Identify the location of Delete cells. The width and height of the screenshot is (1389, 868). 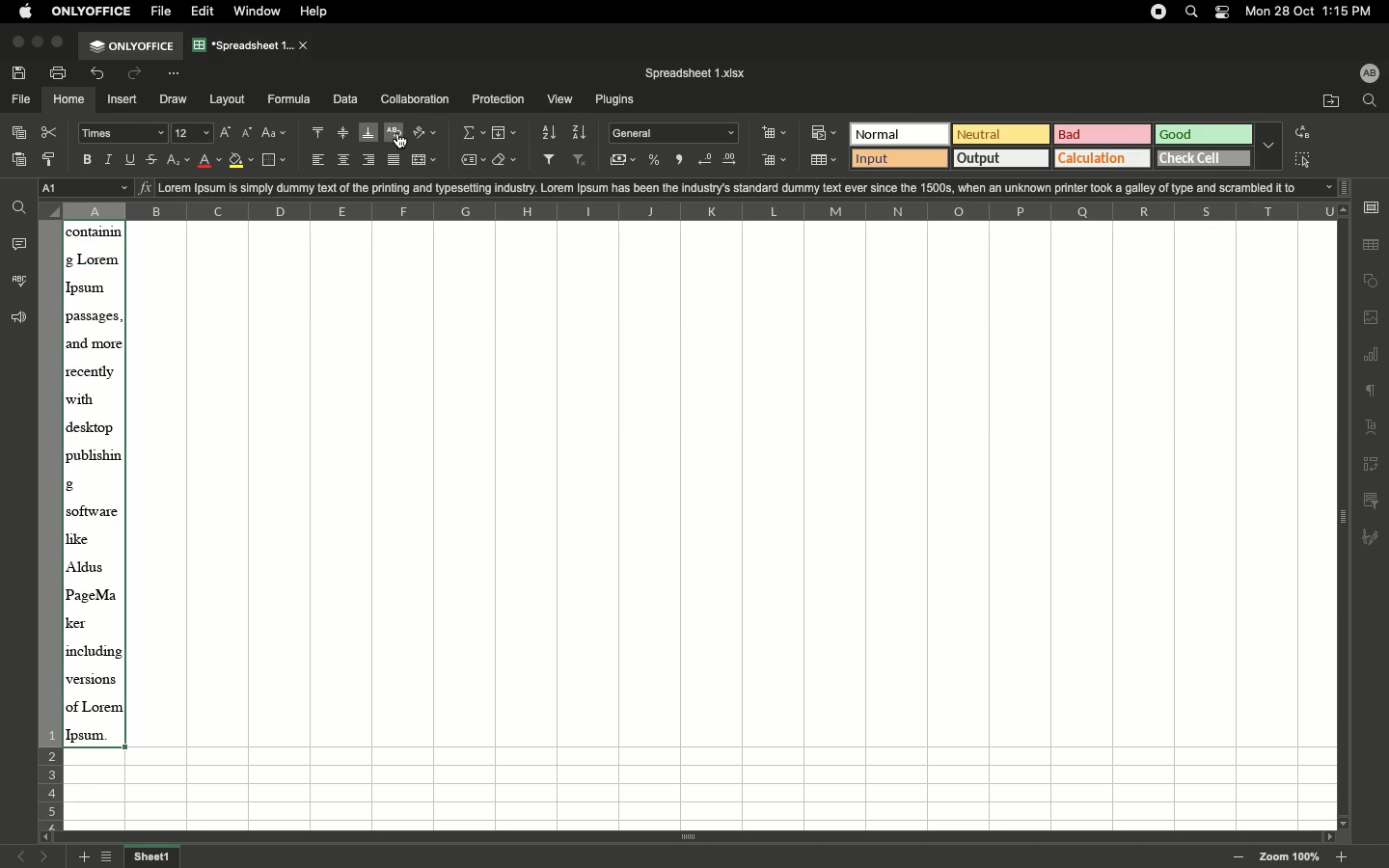
(775, 162).